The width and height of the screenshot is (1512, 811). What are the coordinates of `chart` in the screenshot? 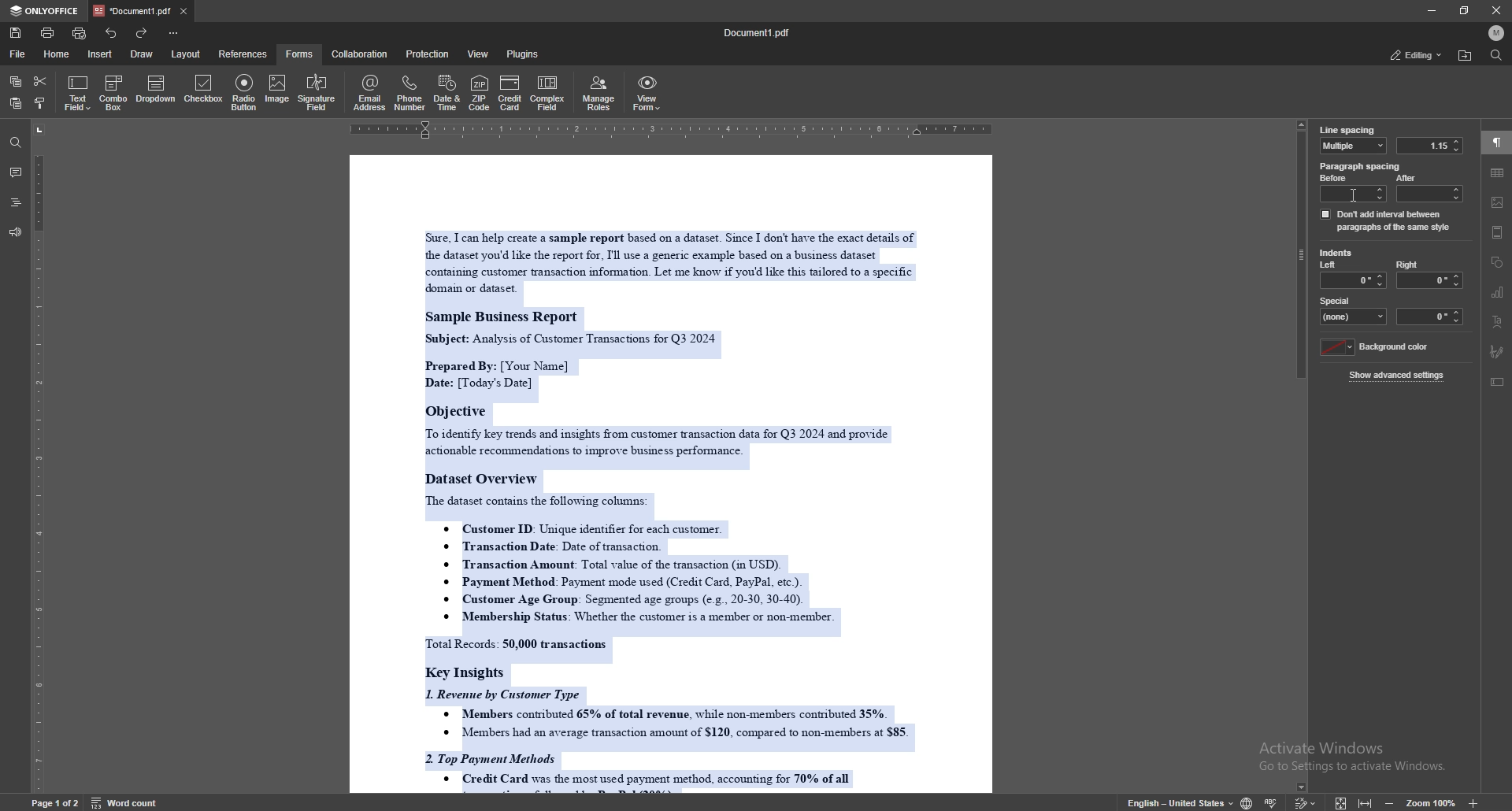 It's located at (1498, 293).